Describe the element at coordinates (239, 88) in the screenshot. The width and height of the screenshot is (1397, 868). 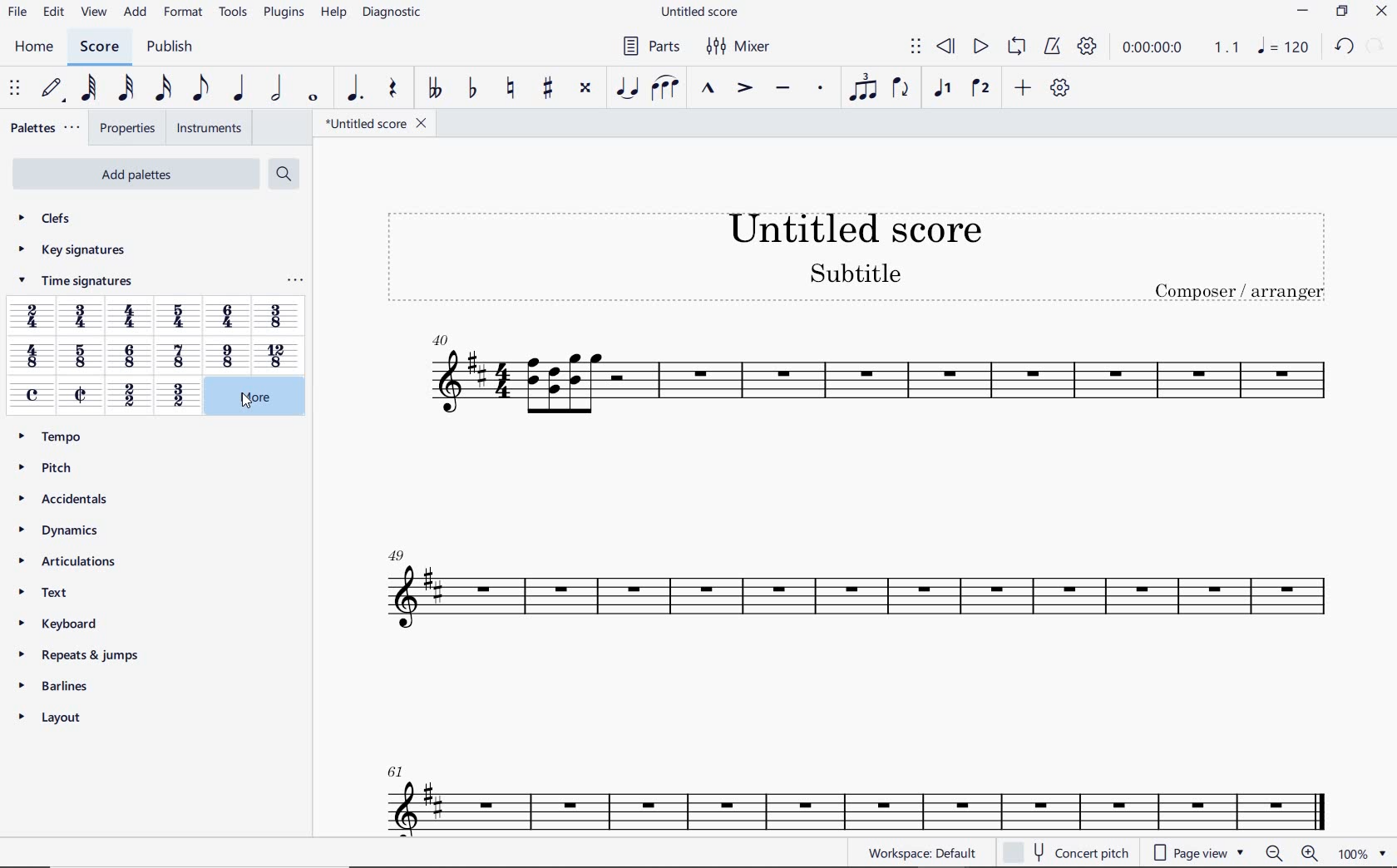
I see `QUARTER NOTE` at that location.